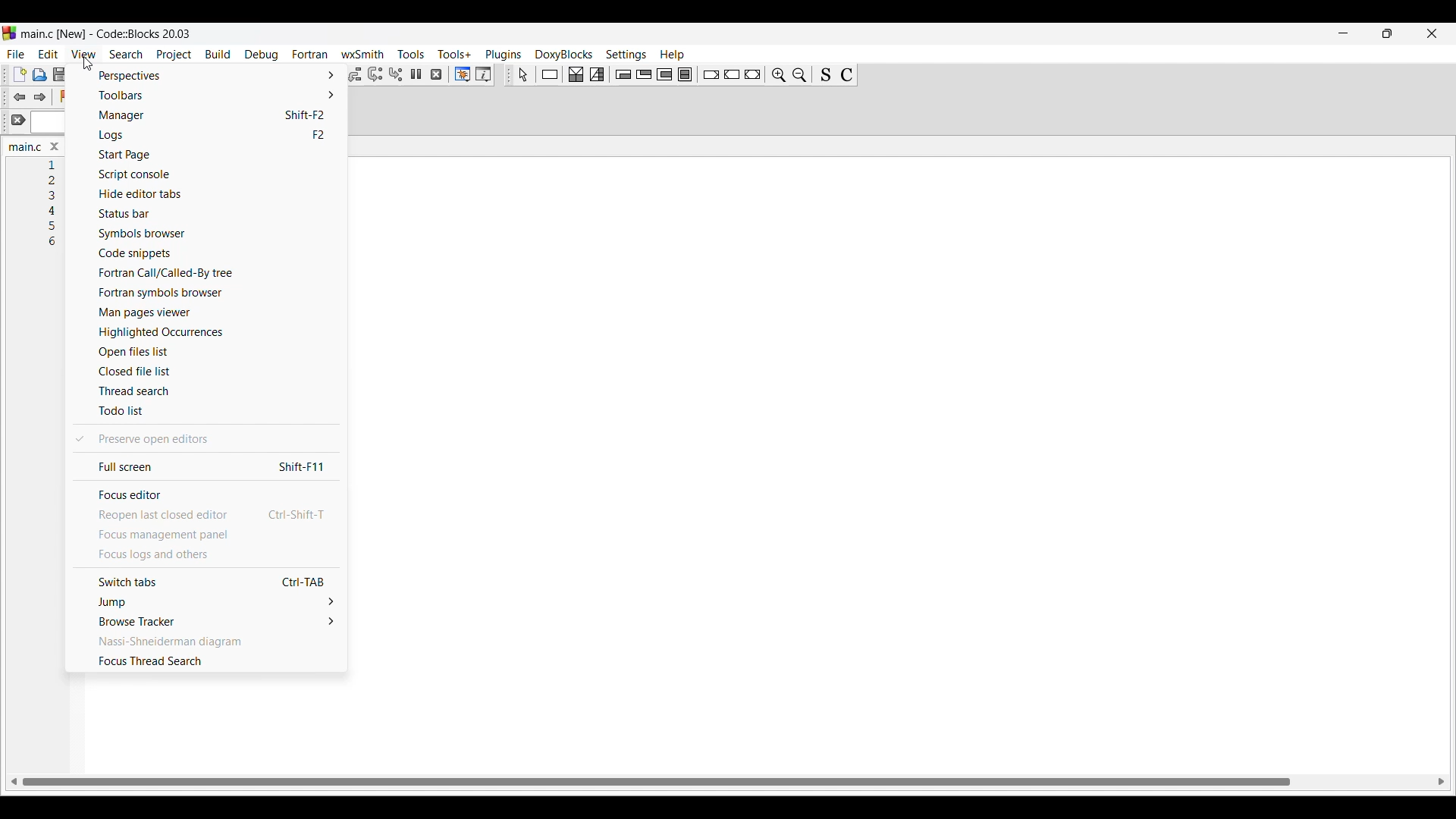 Image resolution: width=1456 pixels, height=819 pixels. What do you see at coordinates (218, 54) in the screenshot?
I see `Build menu` at bounding box center [218, 54].